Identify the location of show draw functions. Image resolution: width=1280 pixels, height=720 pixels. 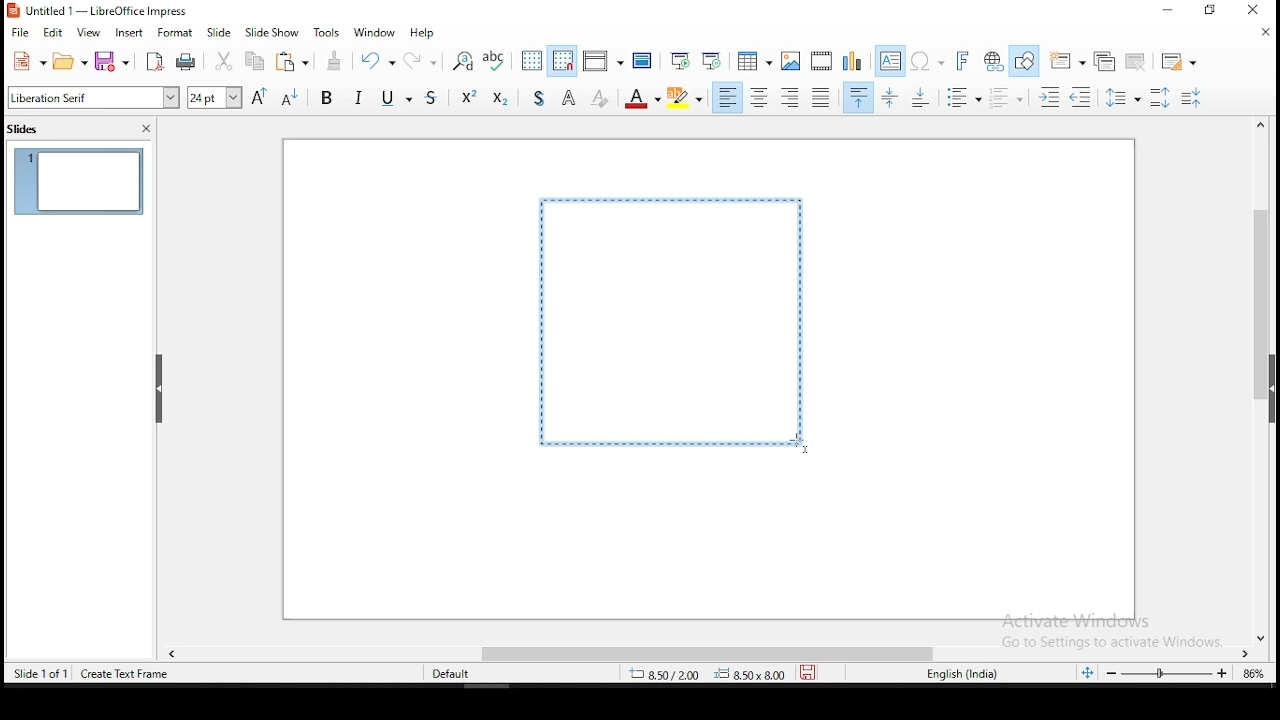
(1024, 60).